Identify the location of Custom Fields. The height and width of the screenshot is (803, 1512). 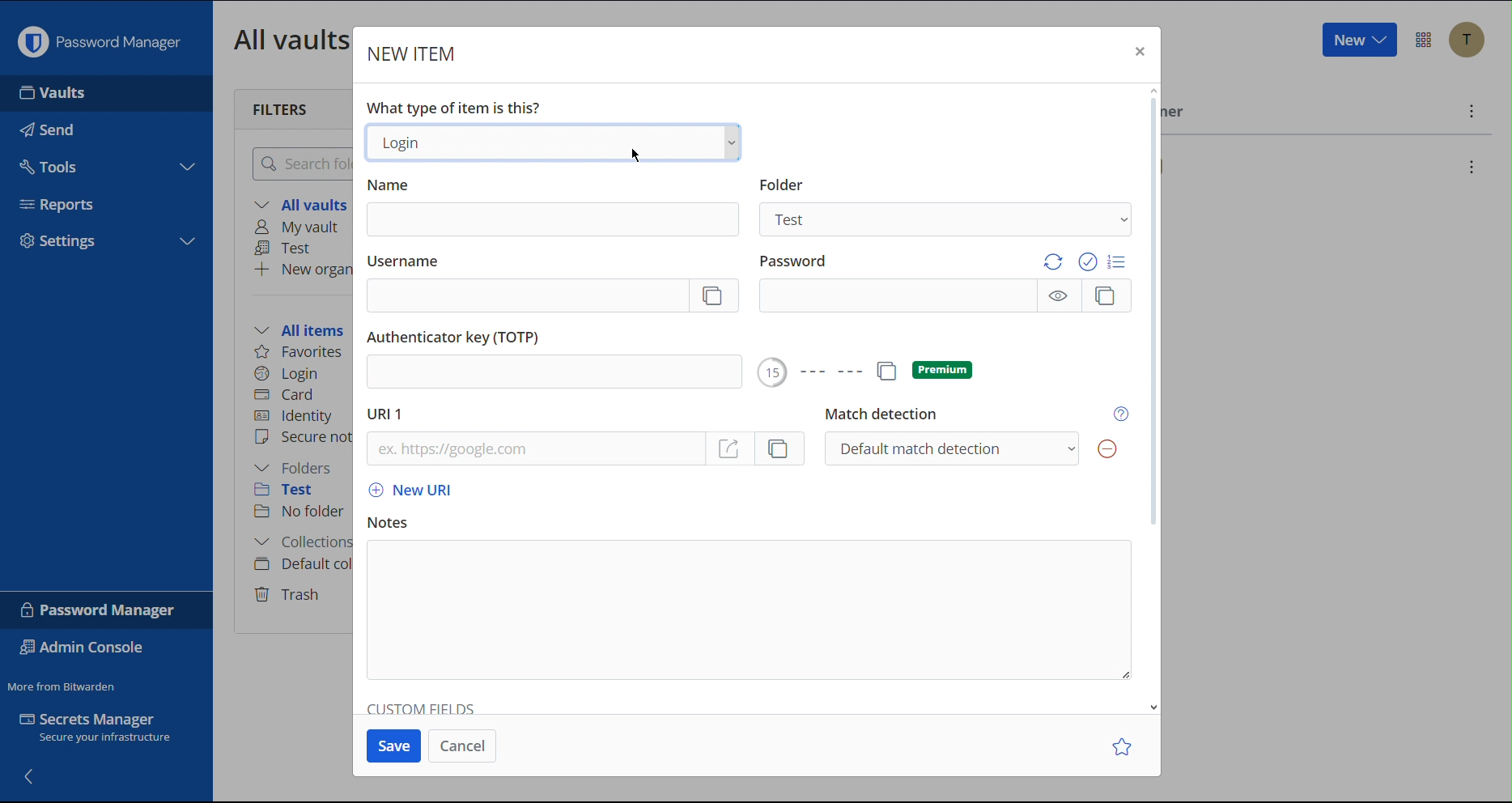
(423, 705).